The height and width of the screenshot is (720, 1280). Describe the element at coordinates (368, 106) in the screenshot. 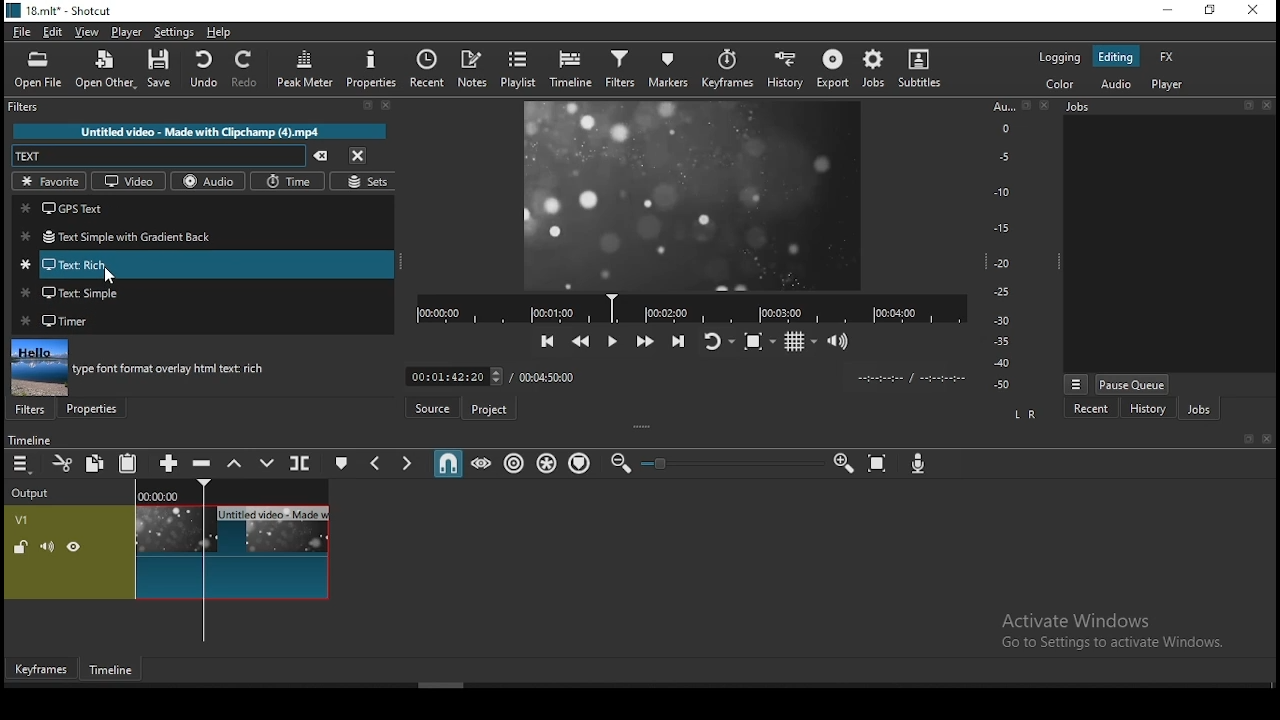

I see `Detach` at that location.